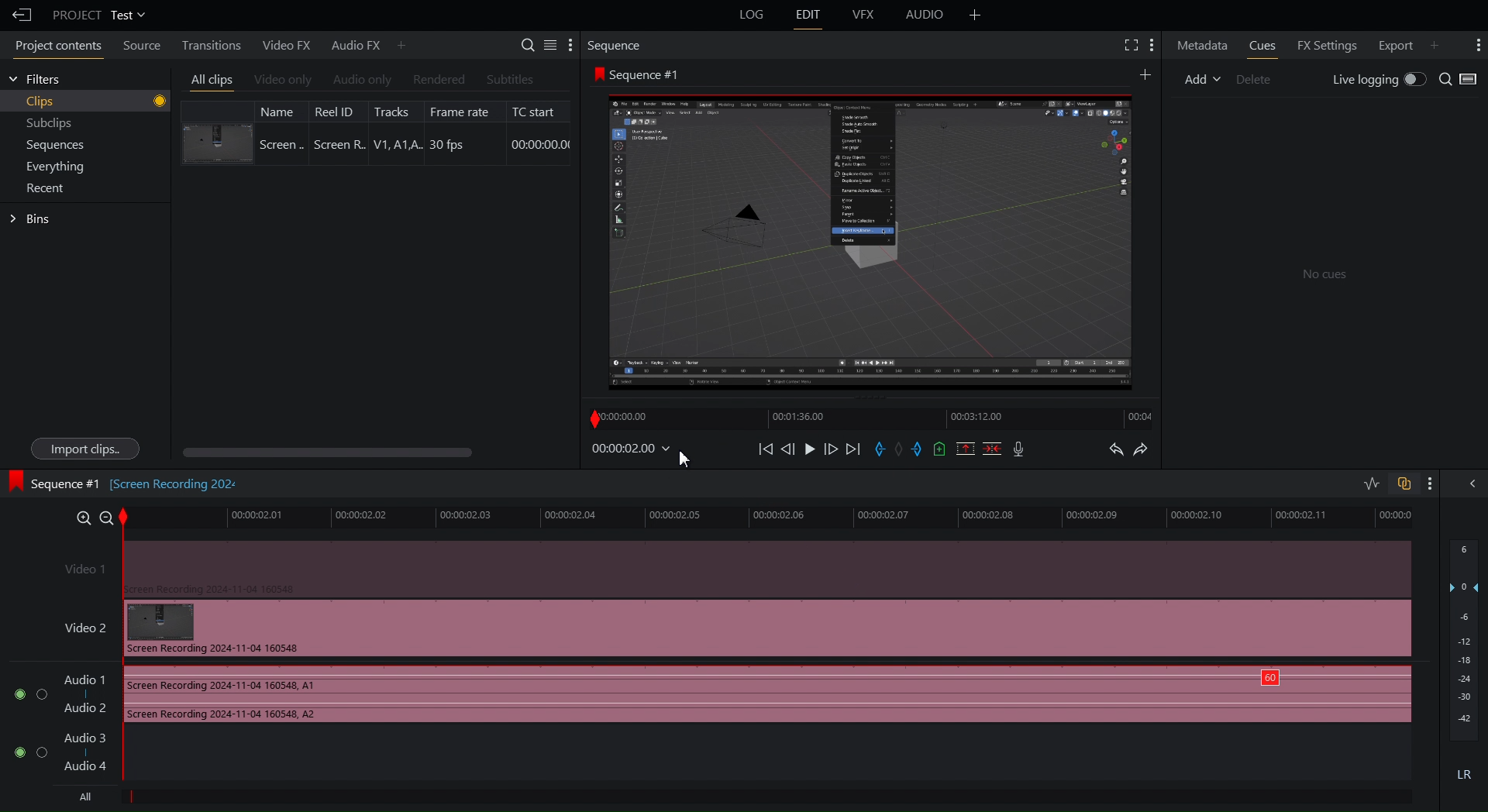  Describe the element at coordinates (49, 188) in the screenshot. I see `Recent` at that location.